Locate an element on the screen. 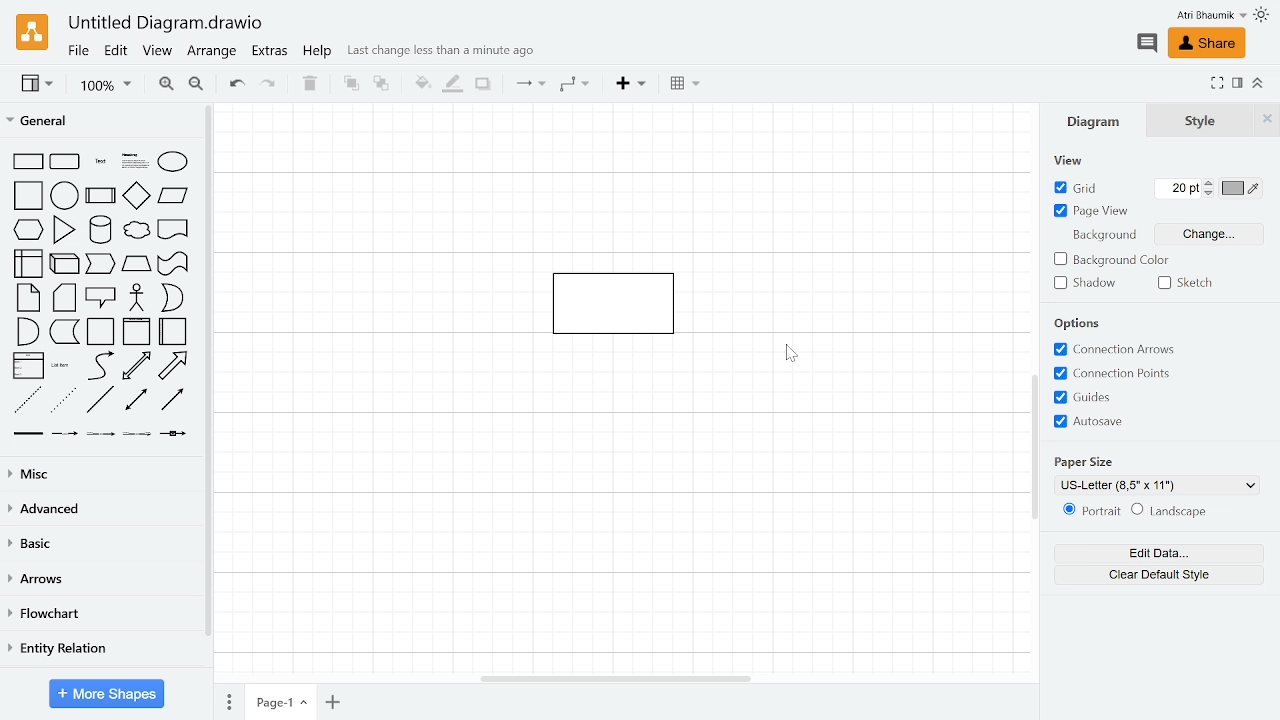 The image size is (1280, 720). Format is located at coordinates (1237, 82).